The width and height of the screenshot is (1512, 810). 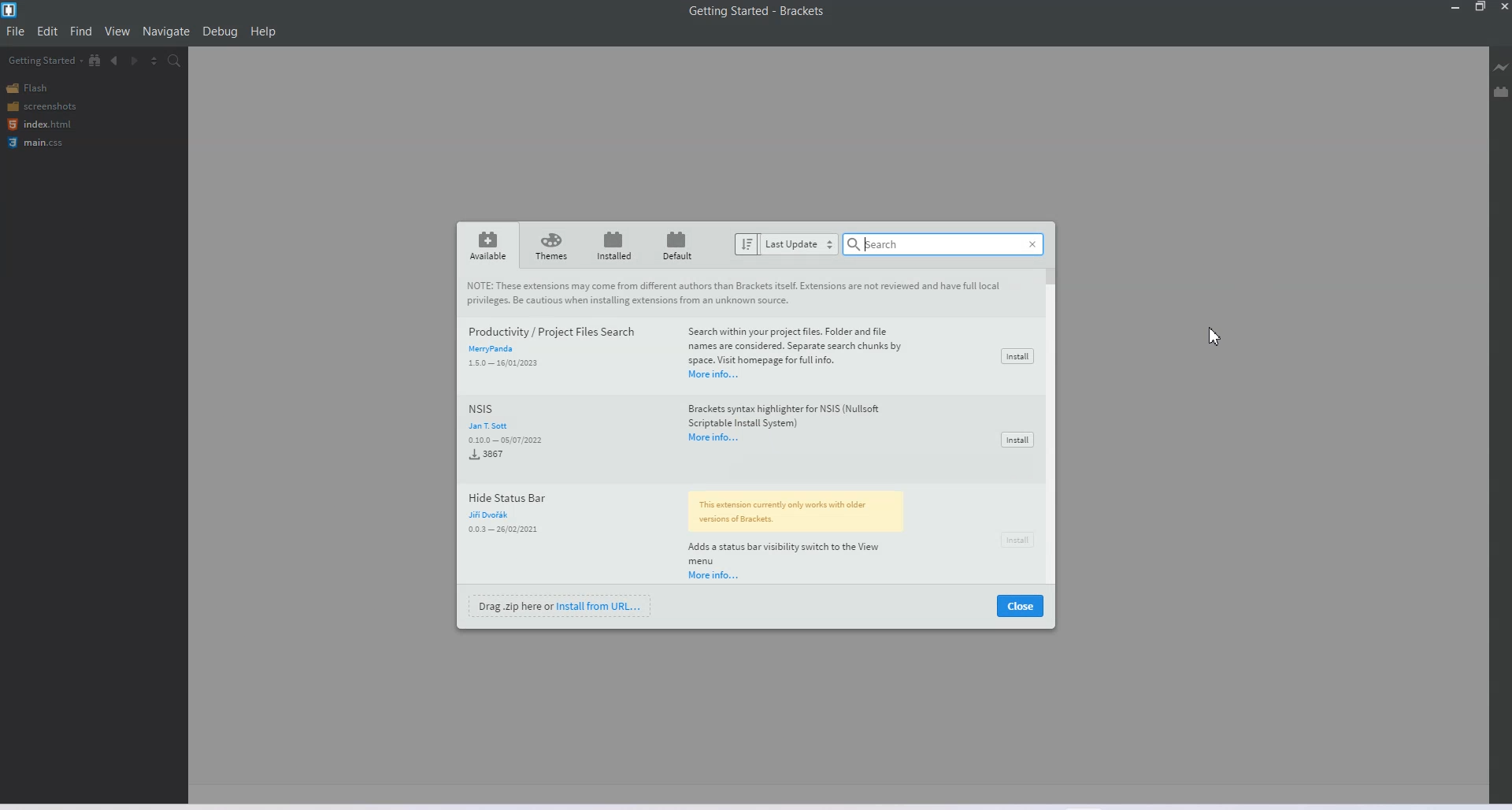 What do you see at coordinates (167, 31) in the screenshot?
I see `Navigation` at bounding box center [167, 31].